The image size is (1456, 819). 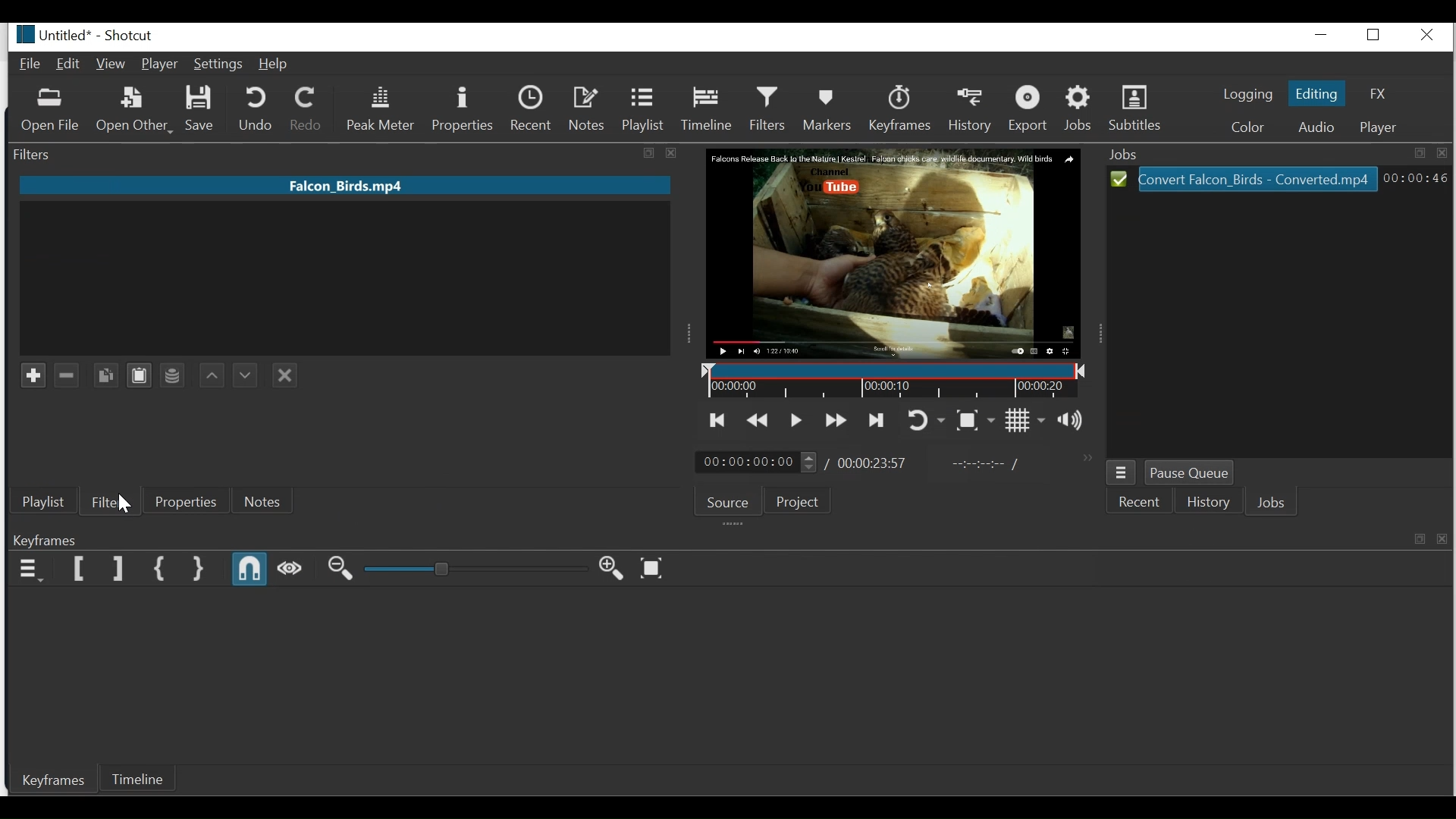 What do you see at coordinates (256, 109) in the screenshot?
I see `Undo` at bounding box center [256, 109].